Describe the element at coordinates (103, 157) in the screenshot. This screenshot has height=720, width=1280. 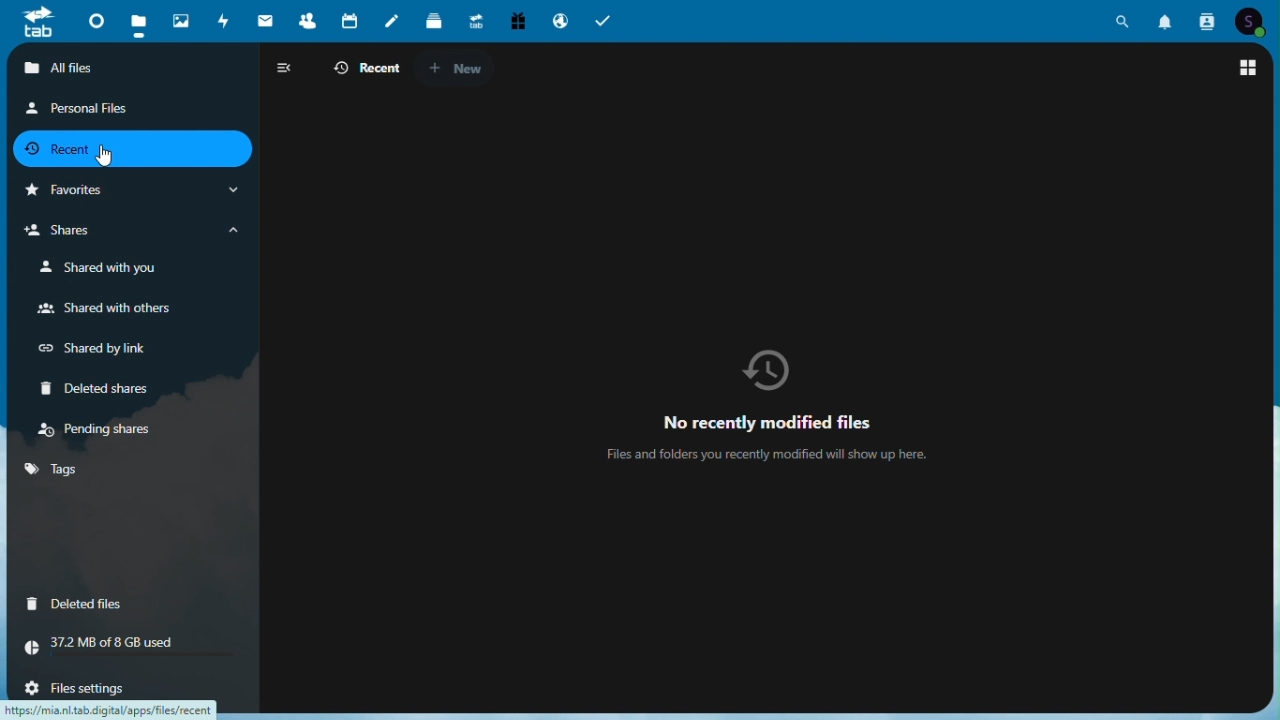
I see `cursor` at that location.